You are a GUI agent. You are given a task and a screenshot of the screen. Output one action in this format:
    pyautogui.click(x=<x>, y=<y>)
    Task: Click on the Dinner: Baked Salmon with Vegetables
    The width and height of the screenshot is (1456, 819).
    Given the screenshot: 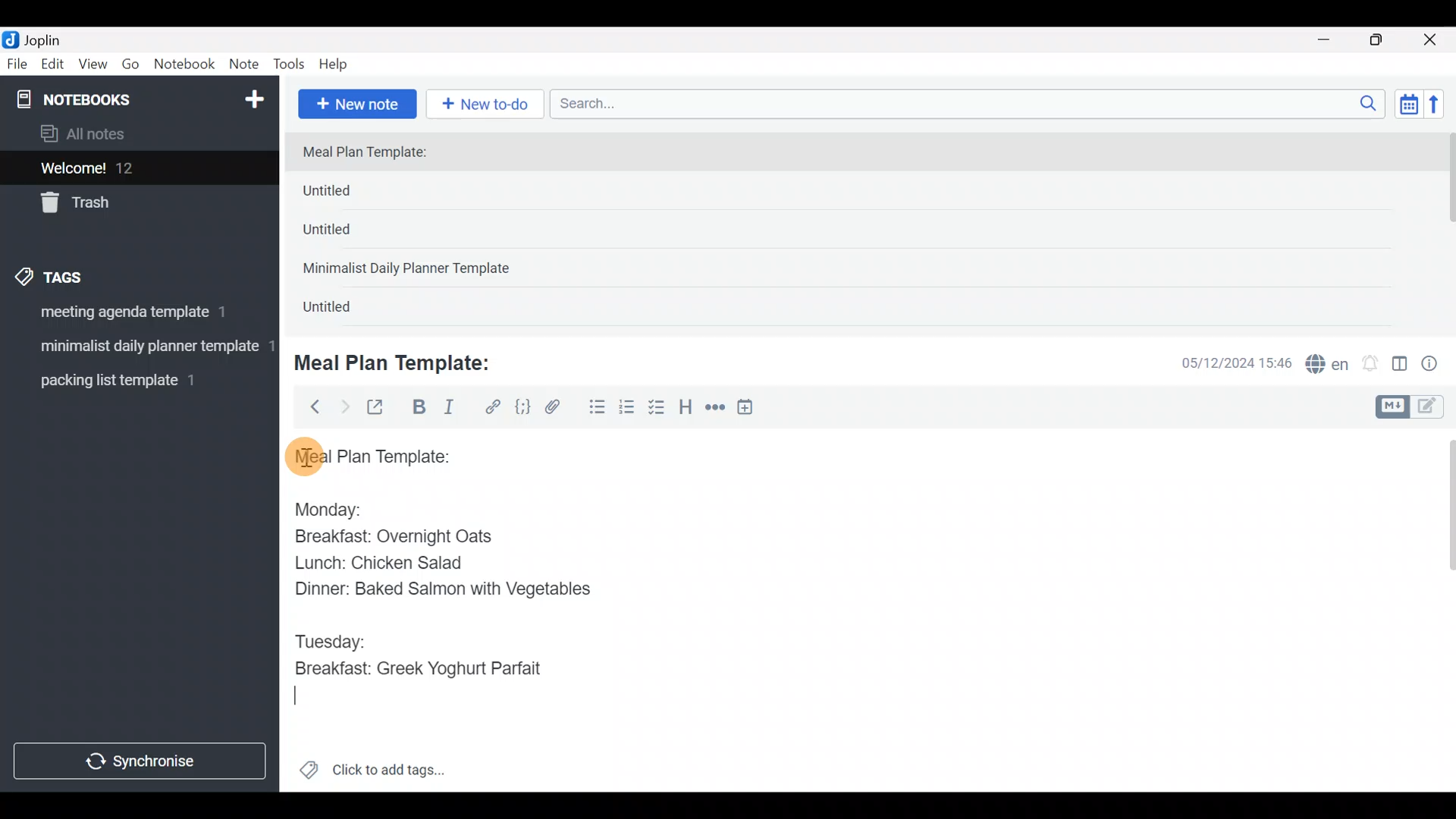 What is the action you would take?
    pyautogui.click(x=439, y=588)
    